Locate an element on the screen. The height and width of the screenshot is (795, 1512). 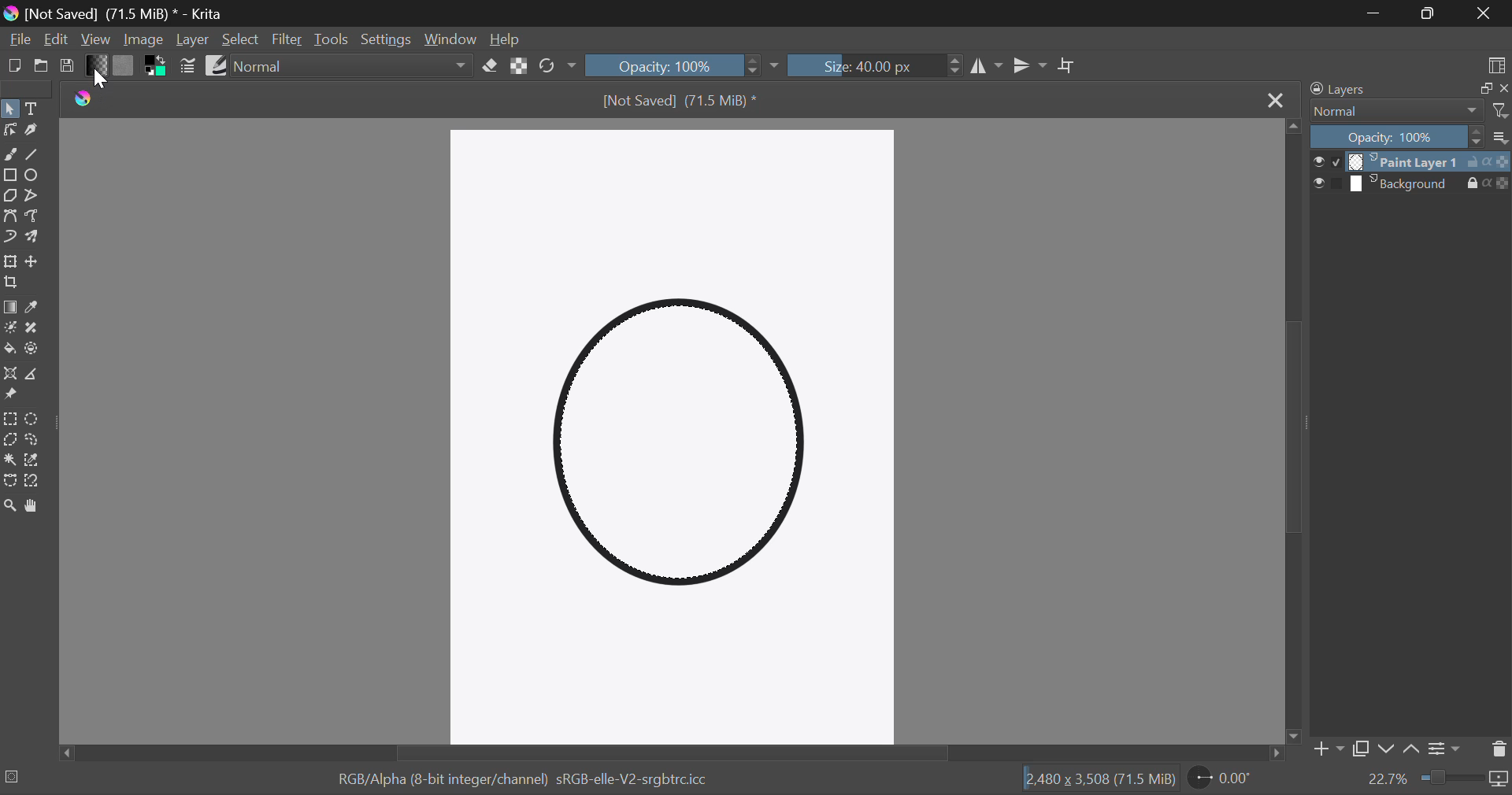
Continuous Selection is located at coordinates (11, 459).